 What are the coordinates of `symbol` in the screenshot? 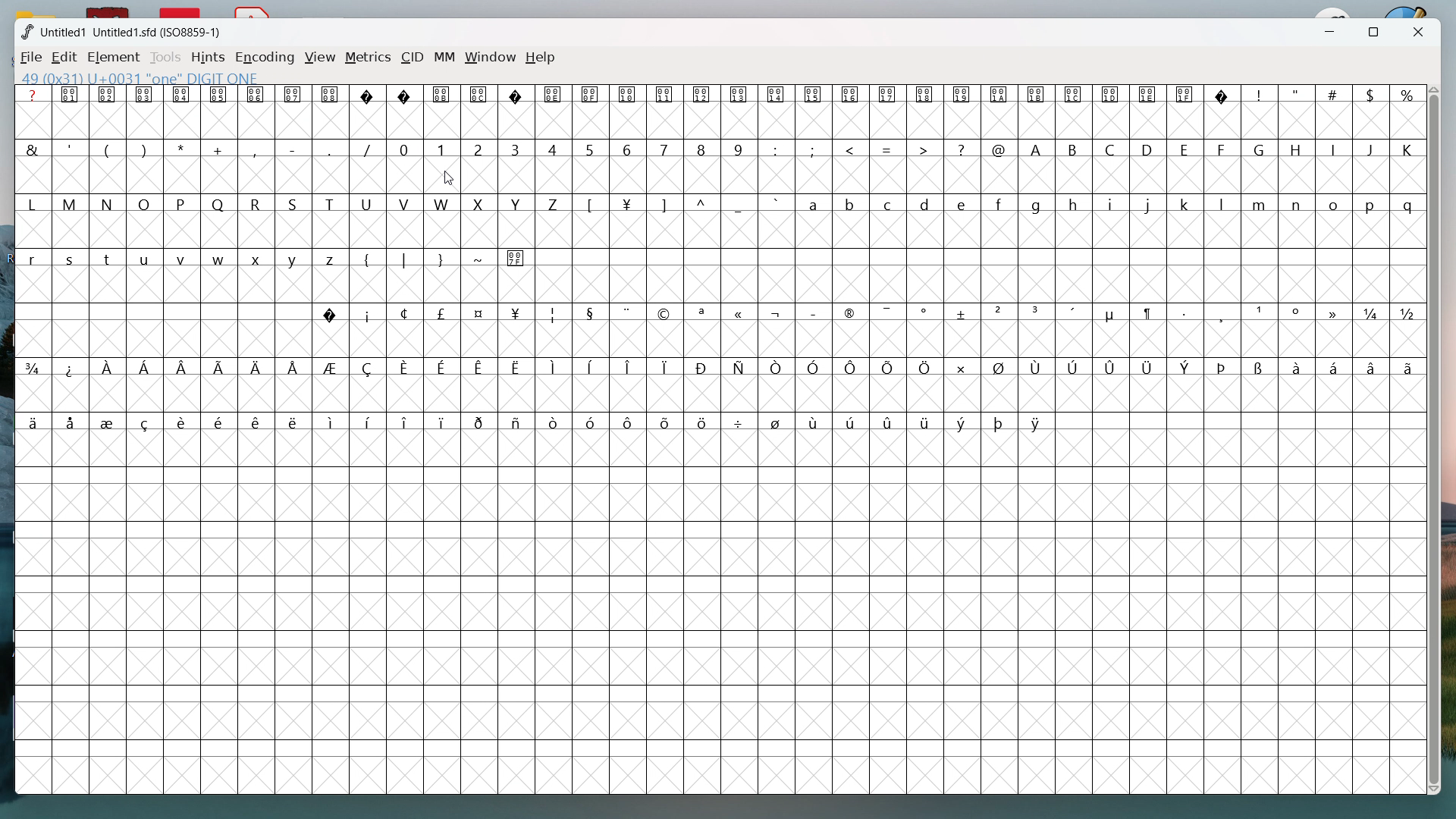 It's located at (1332, 366).